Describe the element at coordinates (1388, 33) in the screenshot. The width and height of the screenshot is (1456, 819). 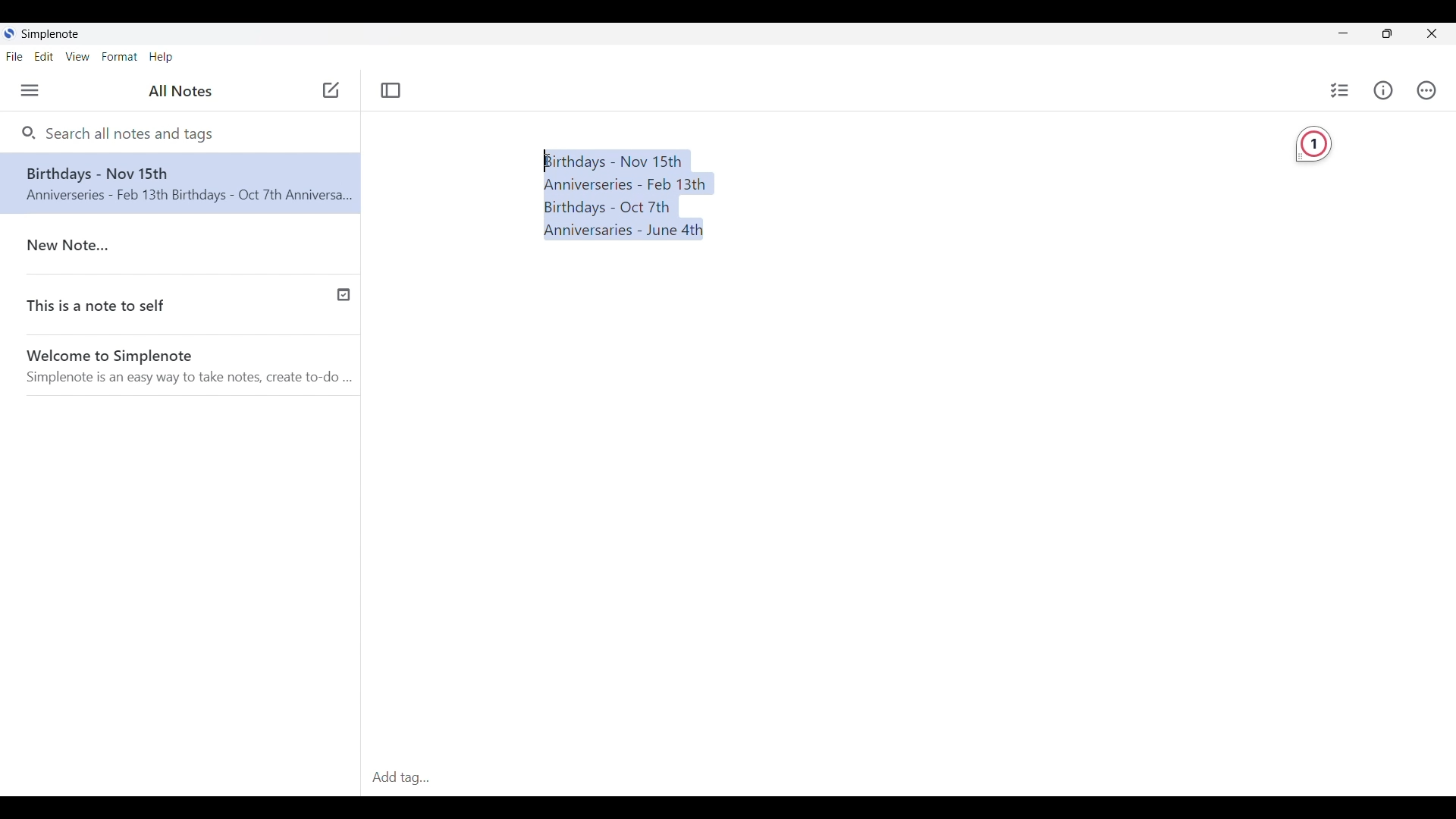
I see `Show interface in a smaller tab` at that location.